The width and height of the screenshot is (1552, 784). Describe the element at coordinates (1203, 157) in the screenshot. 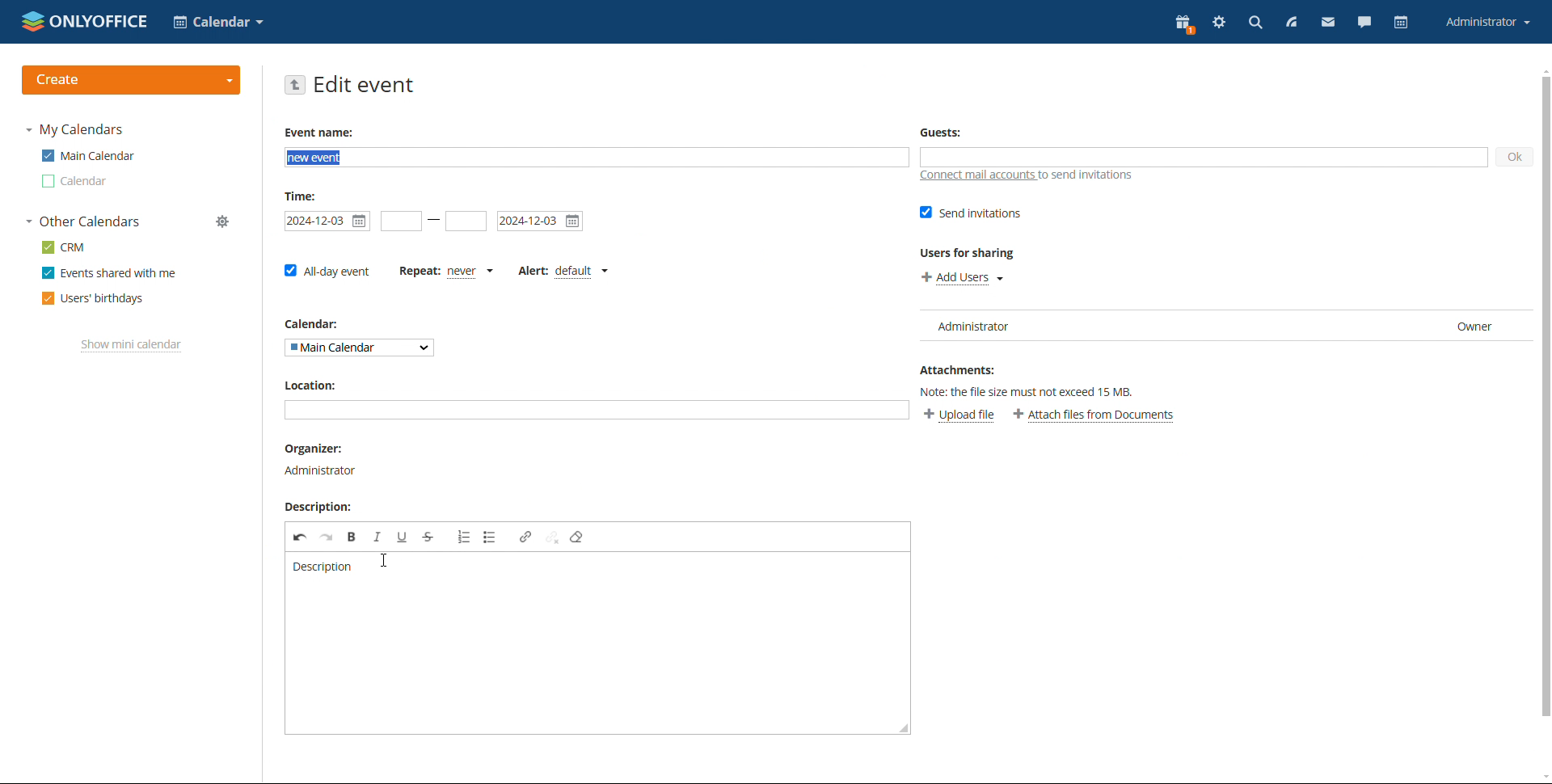

I see `add guests` at that location.